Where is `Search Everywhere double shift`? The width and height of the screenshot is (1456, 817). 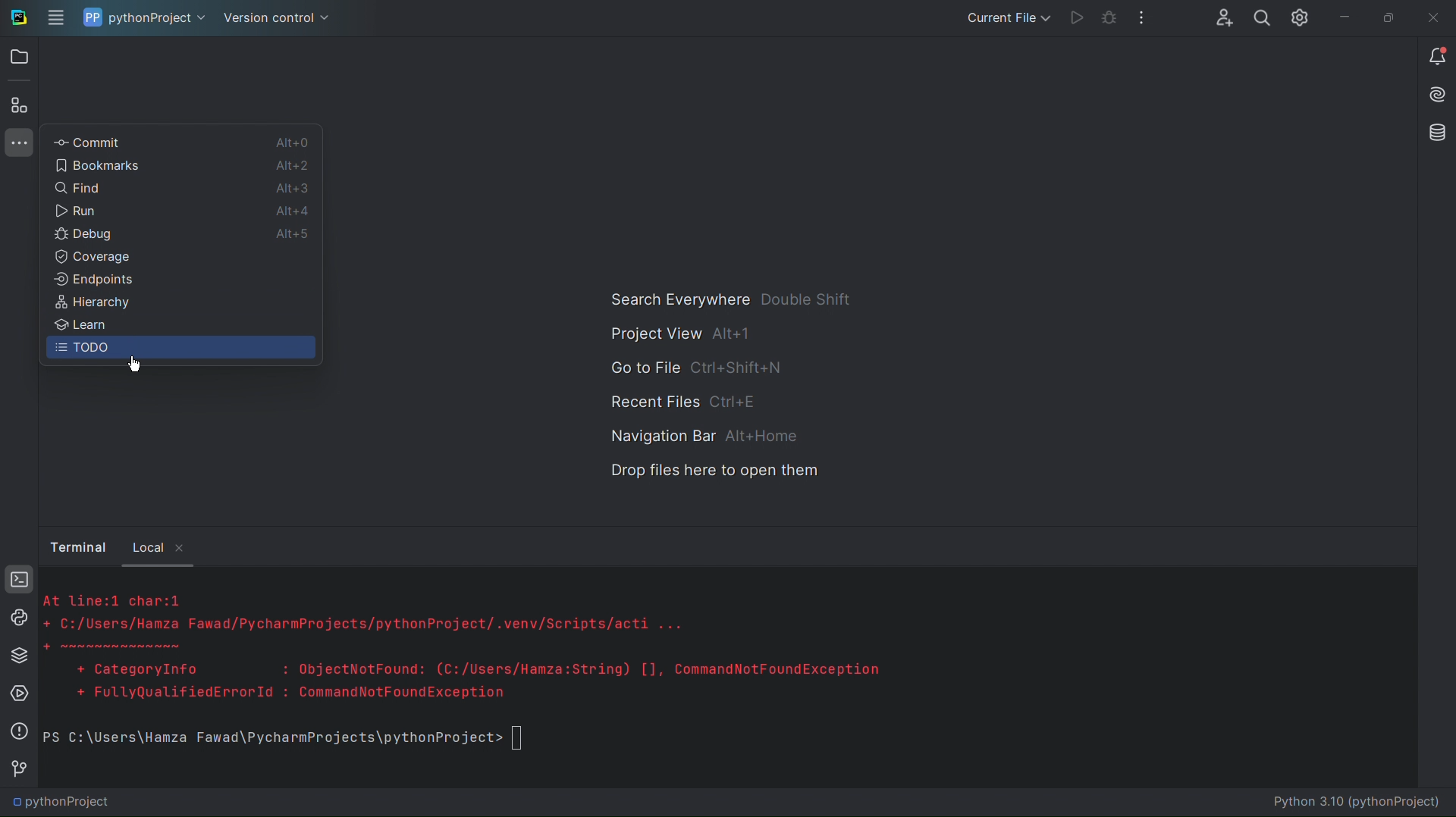
Search Everywhere double shift is located at coordinates (726, 299).